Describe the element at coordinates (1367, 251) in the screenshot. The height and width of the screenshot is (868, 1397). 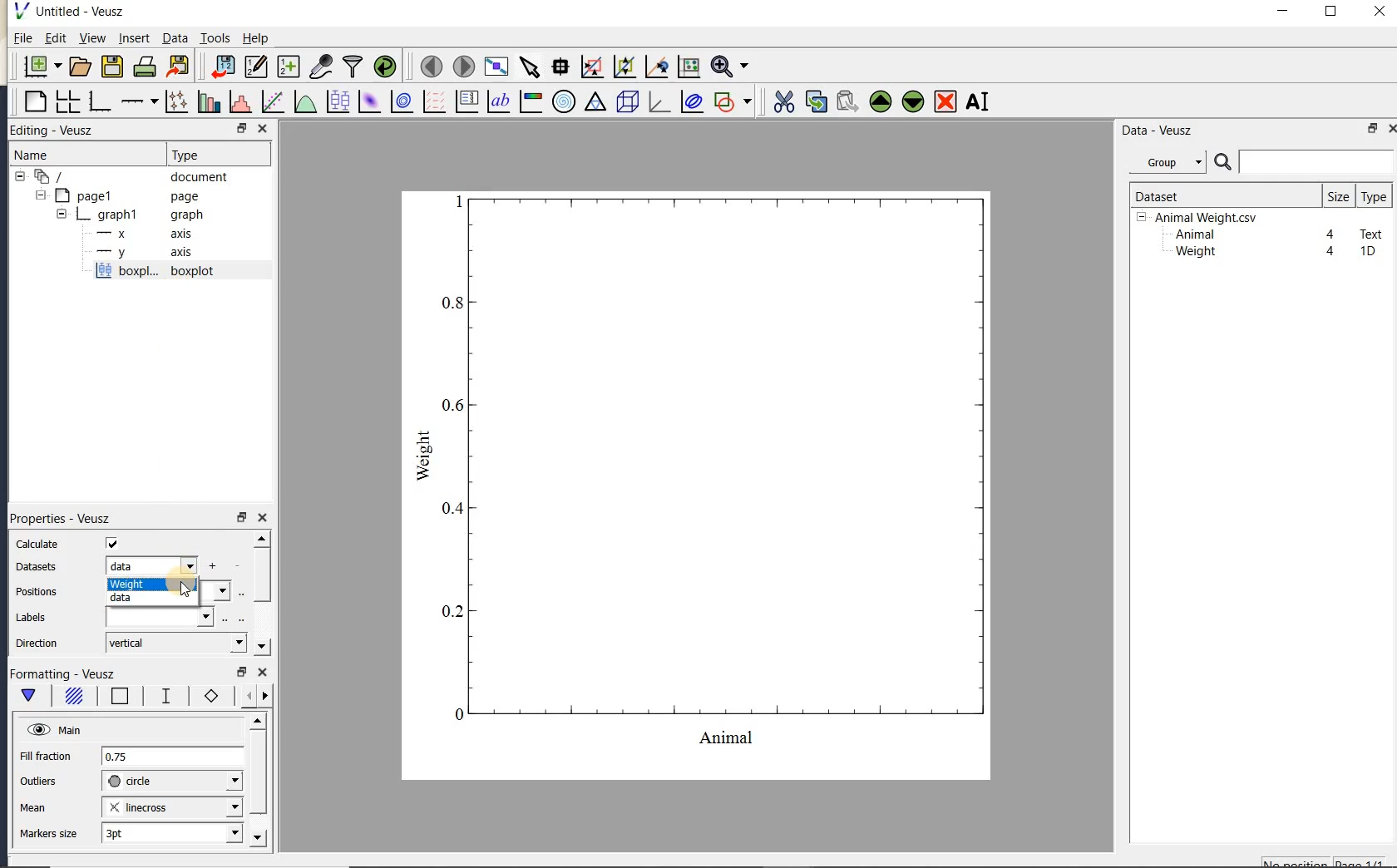
I see `1D` at that location.